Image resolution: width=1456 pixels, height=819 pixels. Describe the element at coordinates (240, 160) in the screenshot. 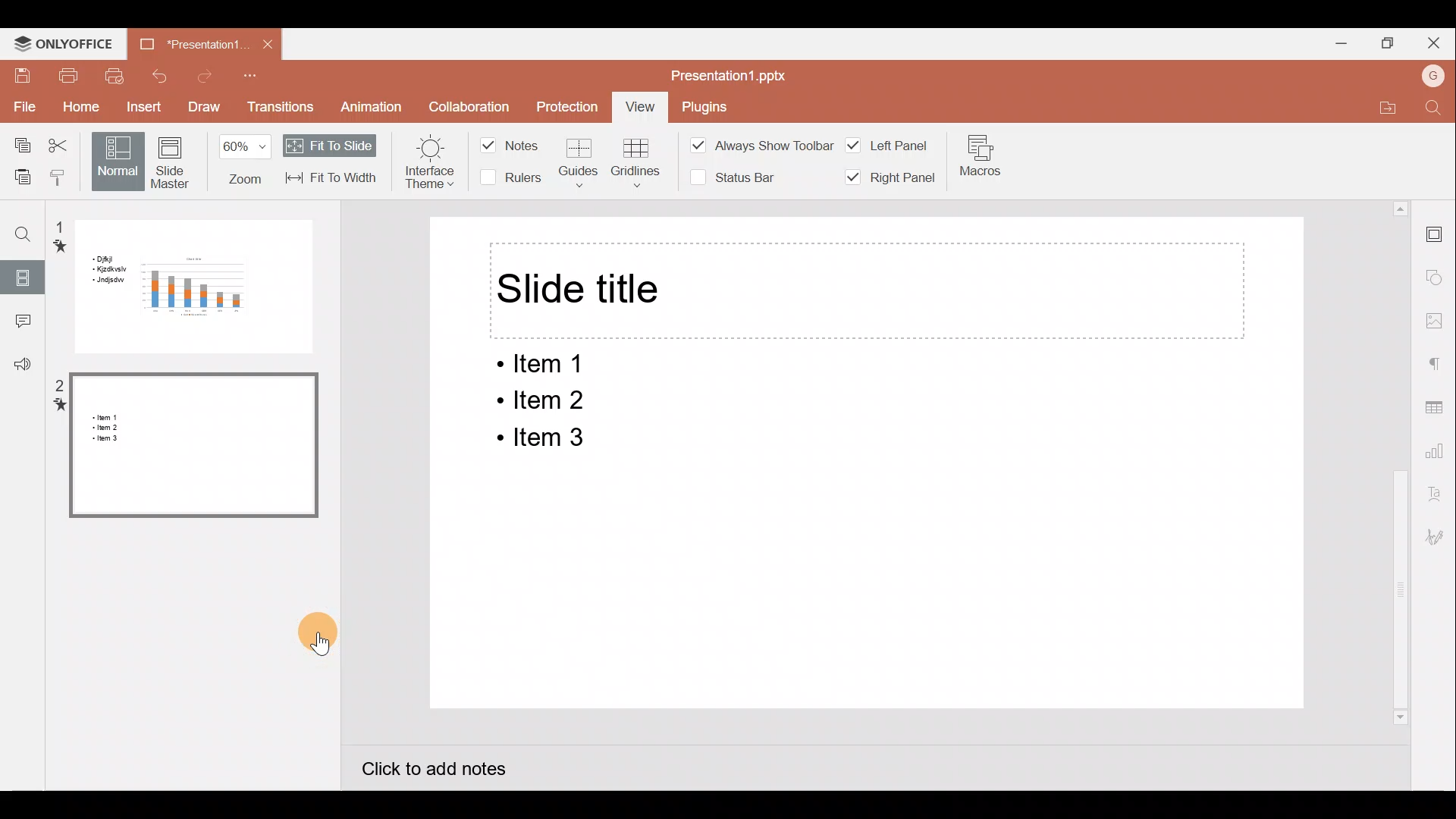

I see `Zoom` at that location.